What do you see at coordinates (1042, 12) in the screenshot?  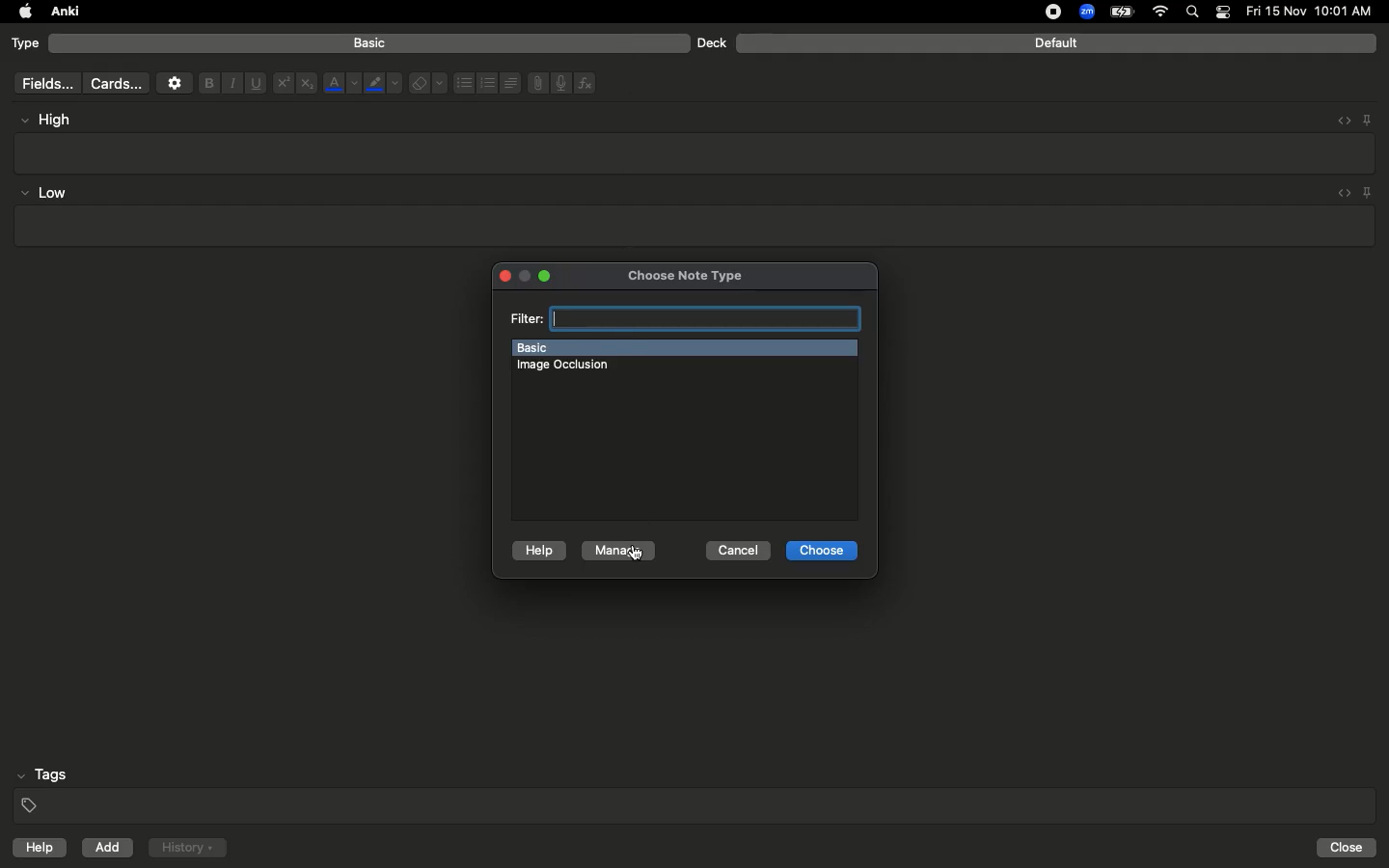 I see `recording` at bounding box center [1042, 12].